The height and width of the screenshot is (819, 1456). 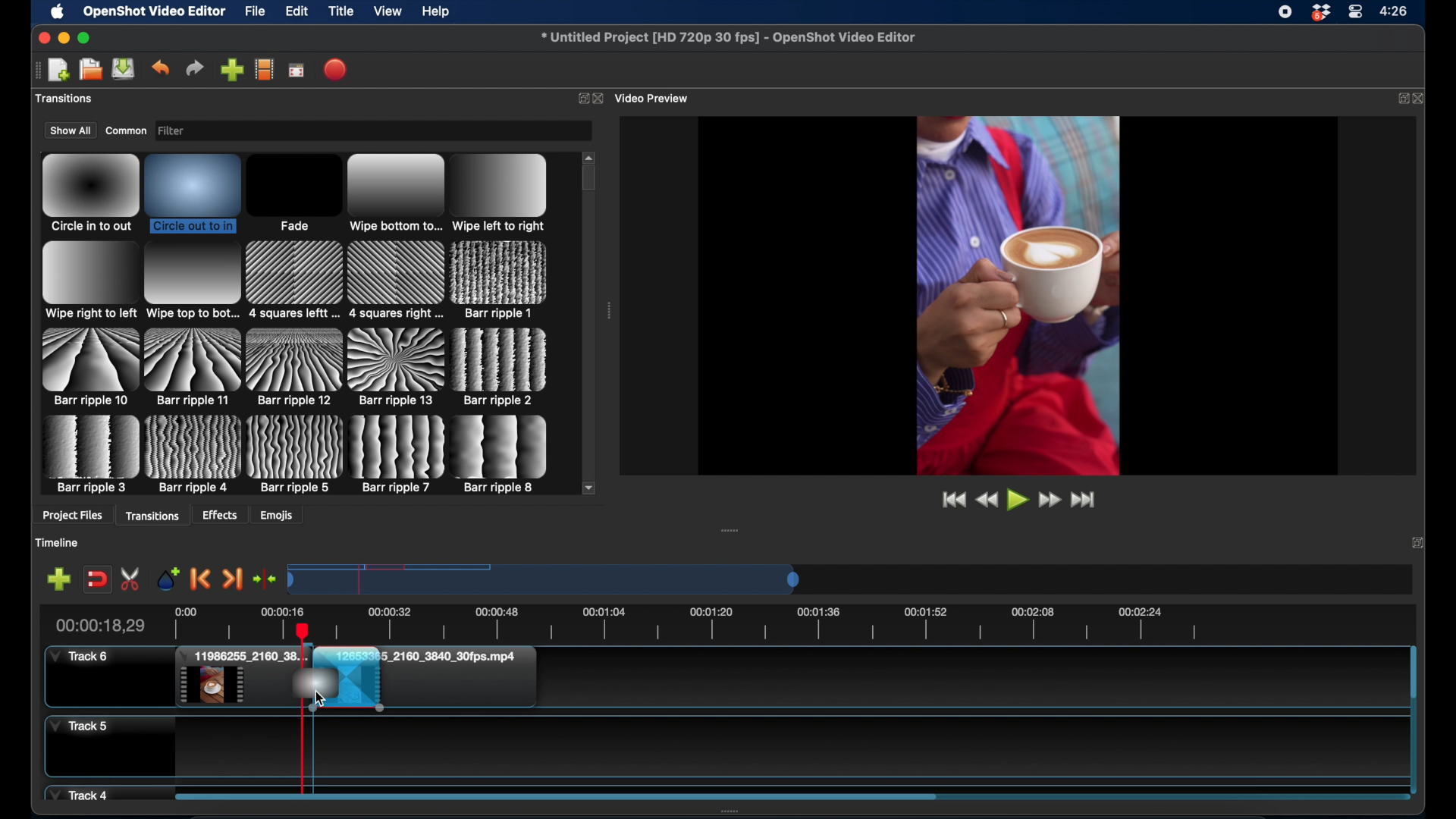 What do you see at coordinates (58, 71) in the screenshot?
I see `open project` at bounding box center [58, 71].